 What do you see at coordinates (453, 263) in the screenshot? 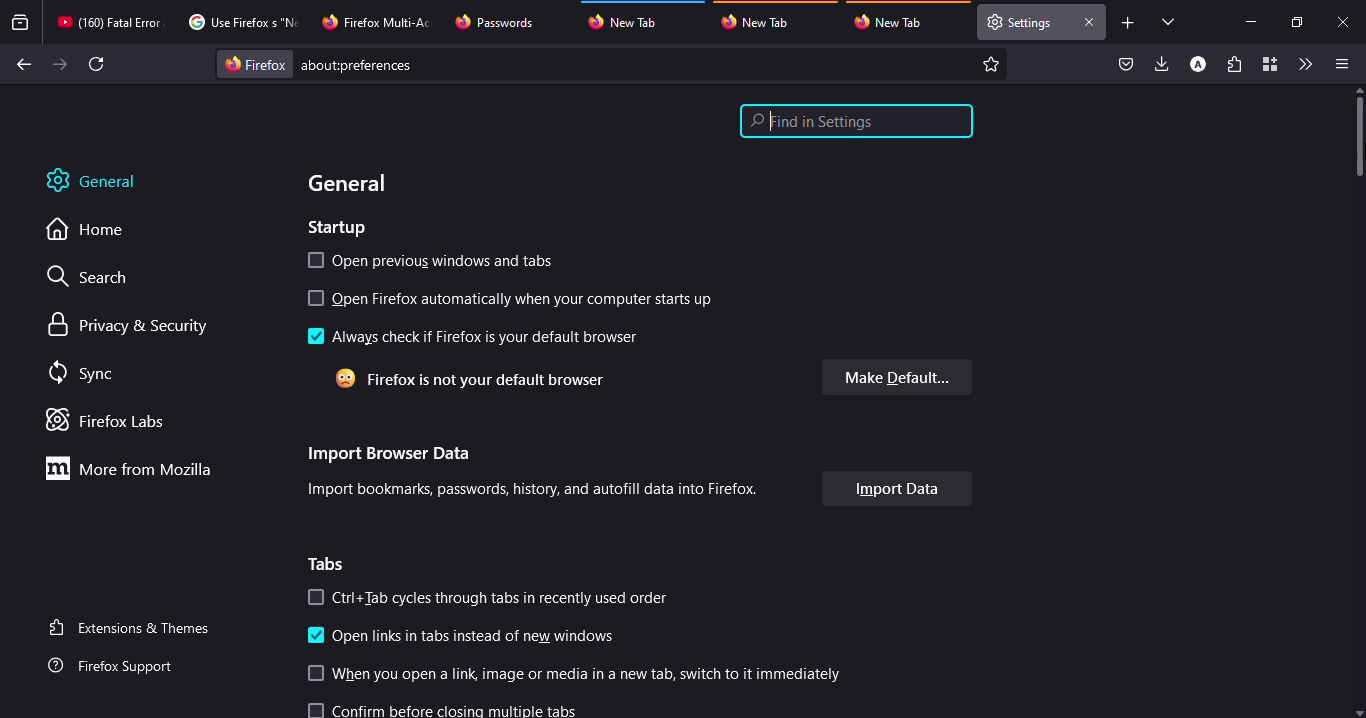
I see `open previous` at bounding box center [453, 263].